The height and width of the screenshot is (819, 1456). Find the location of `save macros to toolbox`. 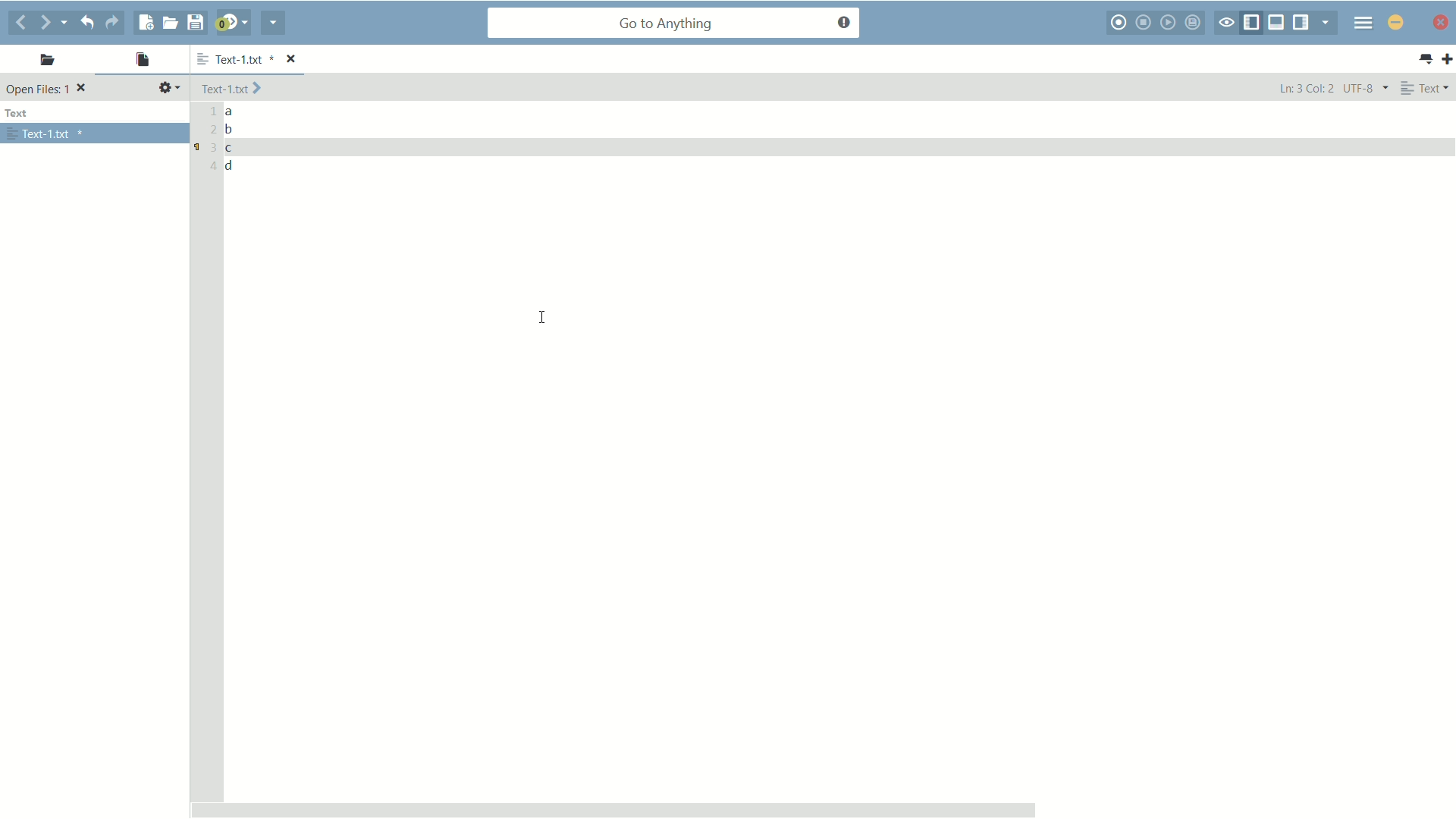

save macros to toolbox is located at coordinates (1194, 22).